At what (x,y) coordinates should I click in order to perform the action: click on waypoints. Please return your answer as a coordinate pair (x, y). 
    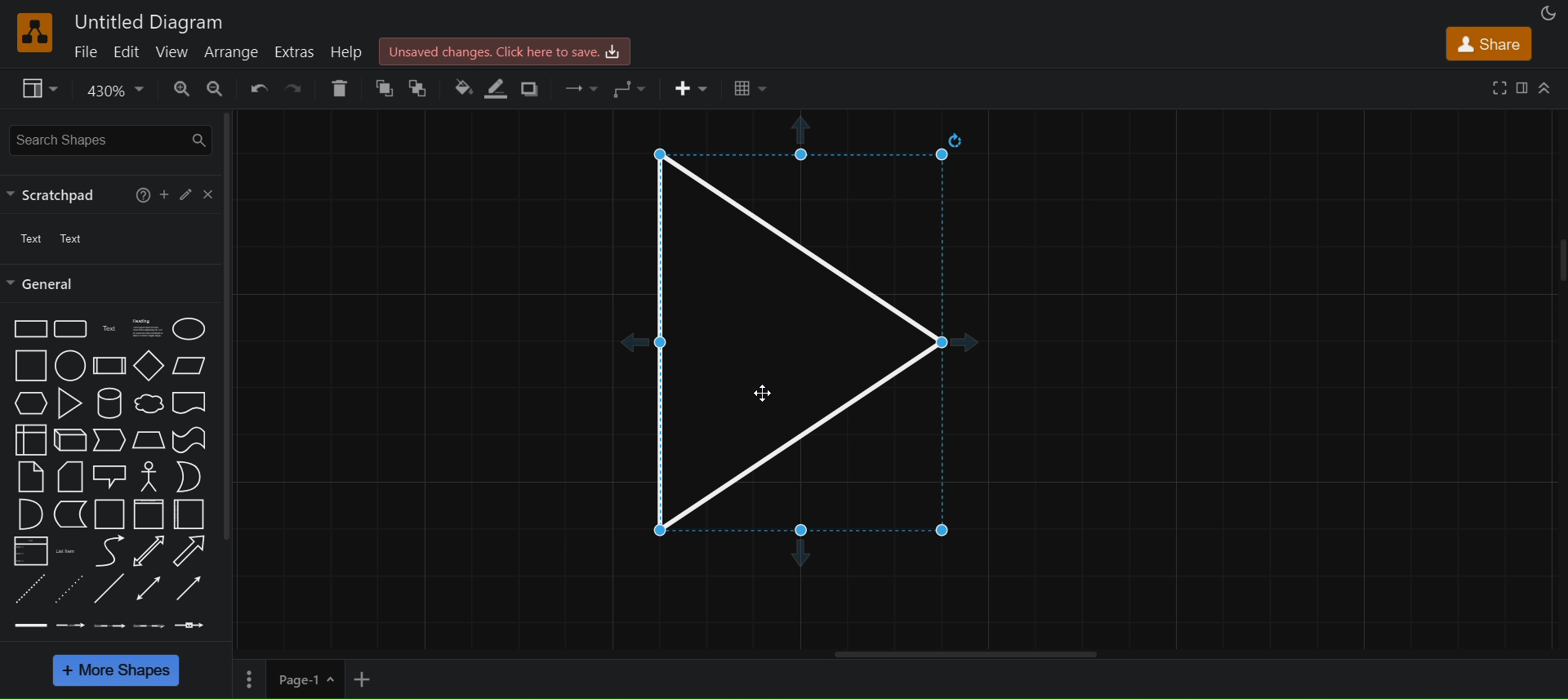
    Looking at the image, I should click on (629, 86).